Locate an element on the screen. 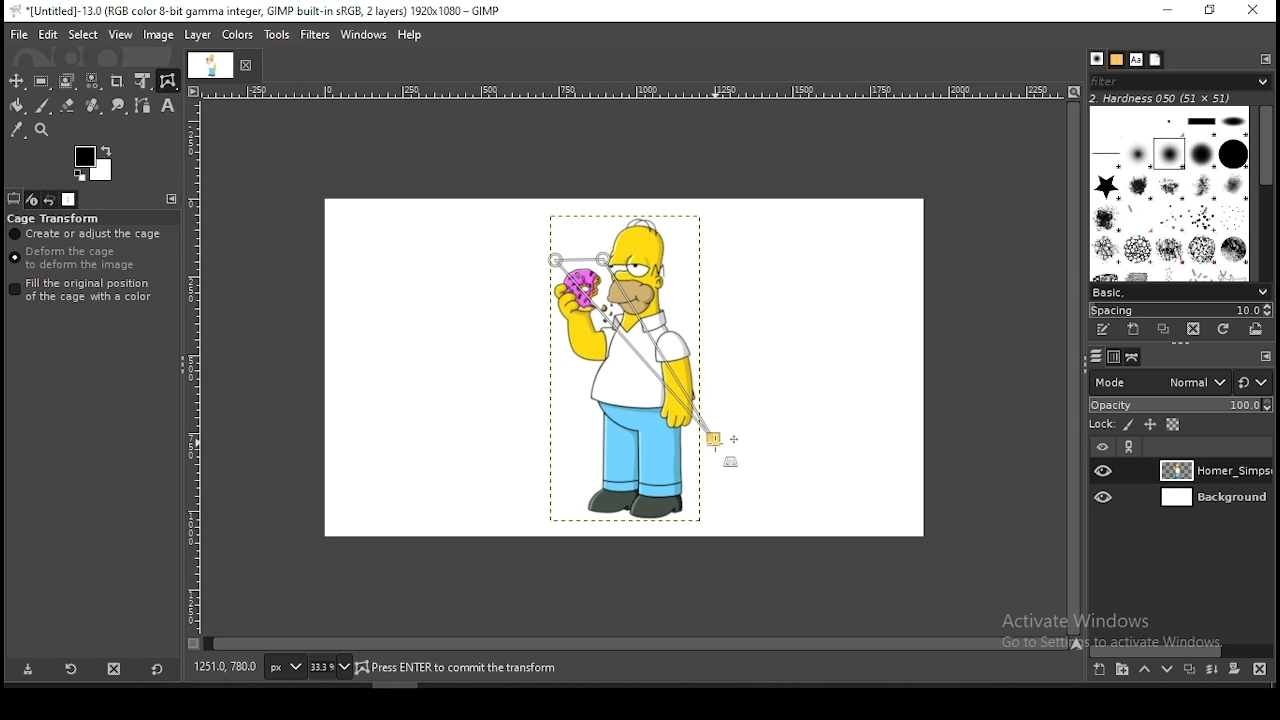 This screenshot has width=1280, height=720. layer is located at coordinates (199, 36).